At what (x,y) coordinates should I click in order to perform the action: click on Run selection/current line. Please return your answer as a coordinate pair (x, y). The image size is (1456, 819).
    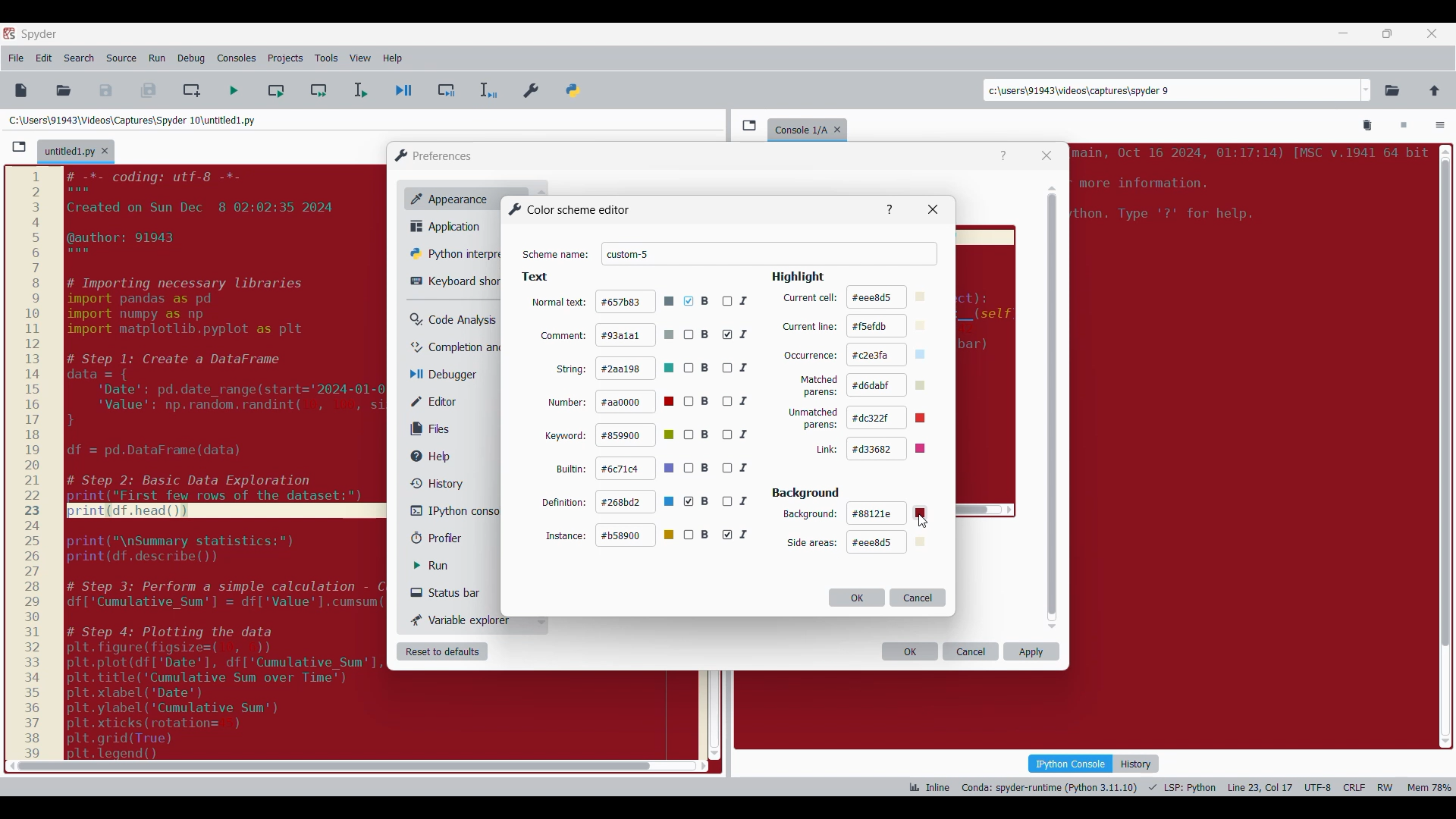
    Looking at the image, I should click on (359, 90).